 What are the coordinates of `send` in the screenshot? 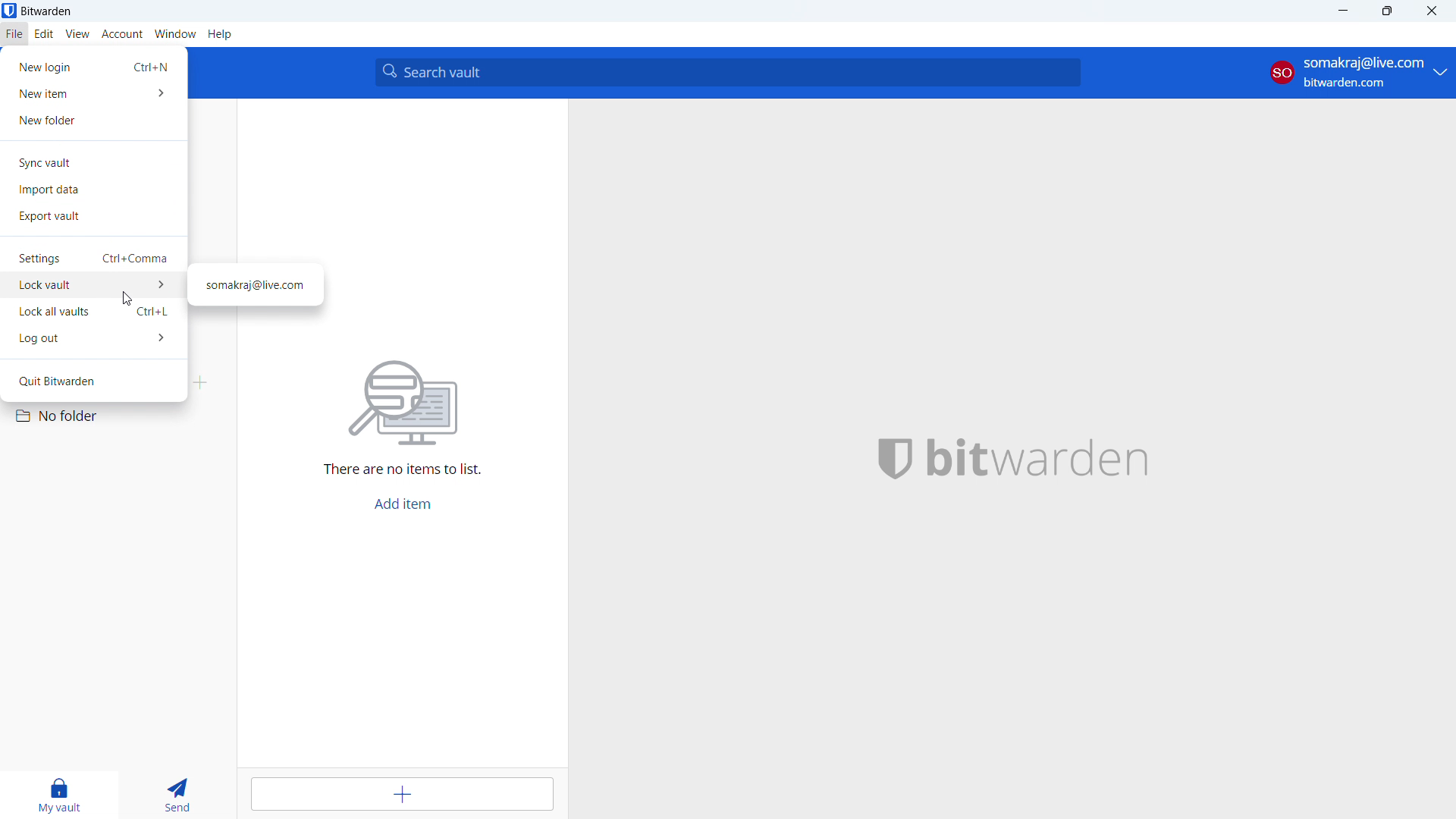 It's located at (180, 795).